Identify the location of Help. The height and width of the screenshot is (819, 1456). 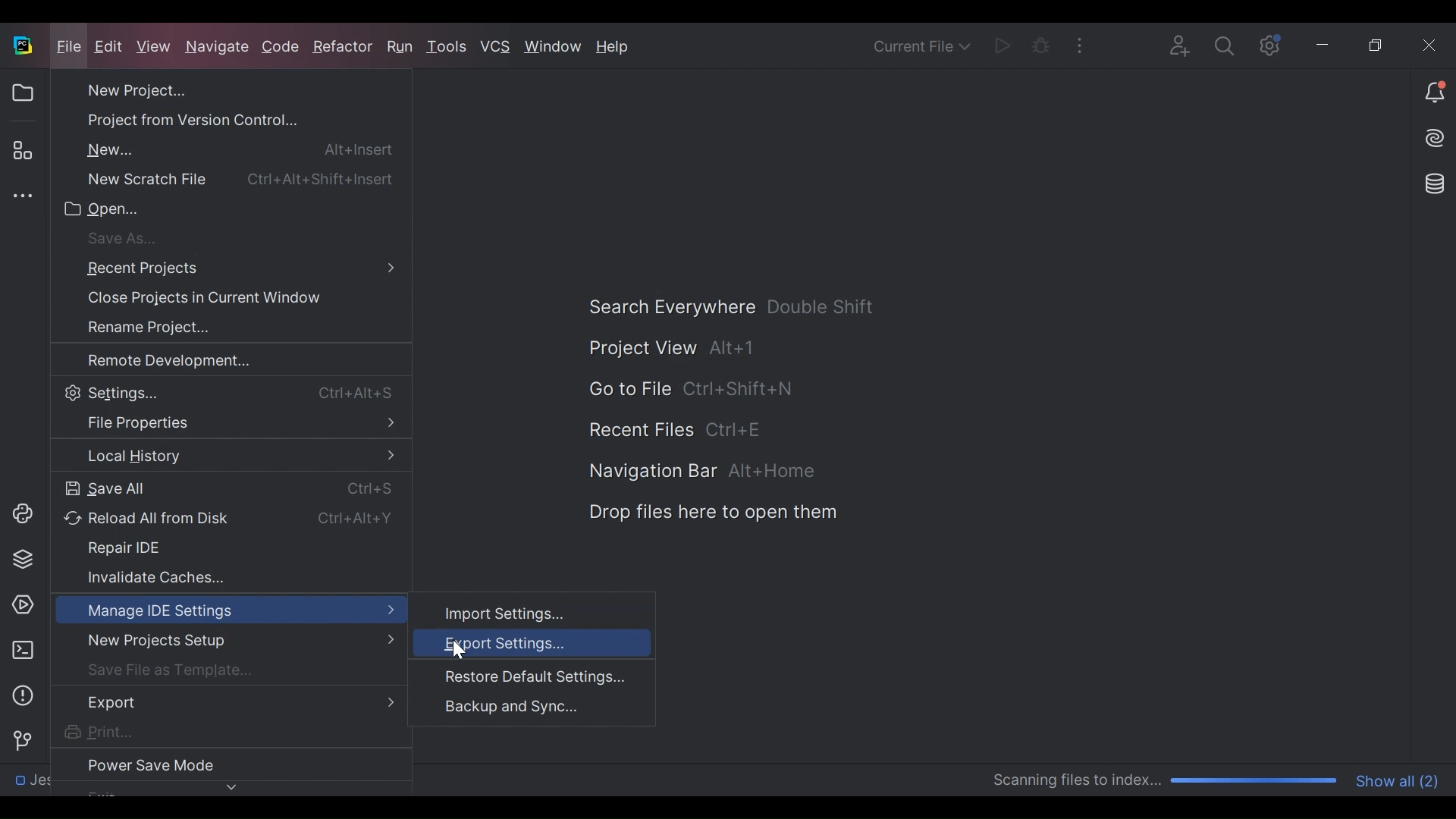
(614, 48).